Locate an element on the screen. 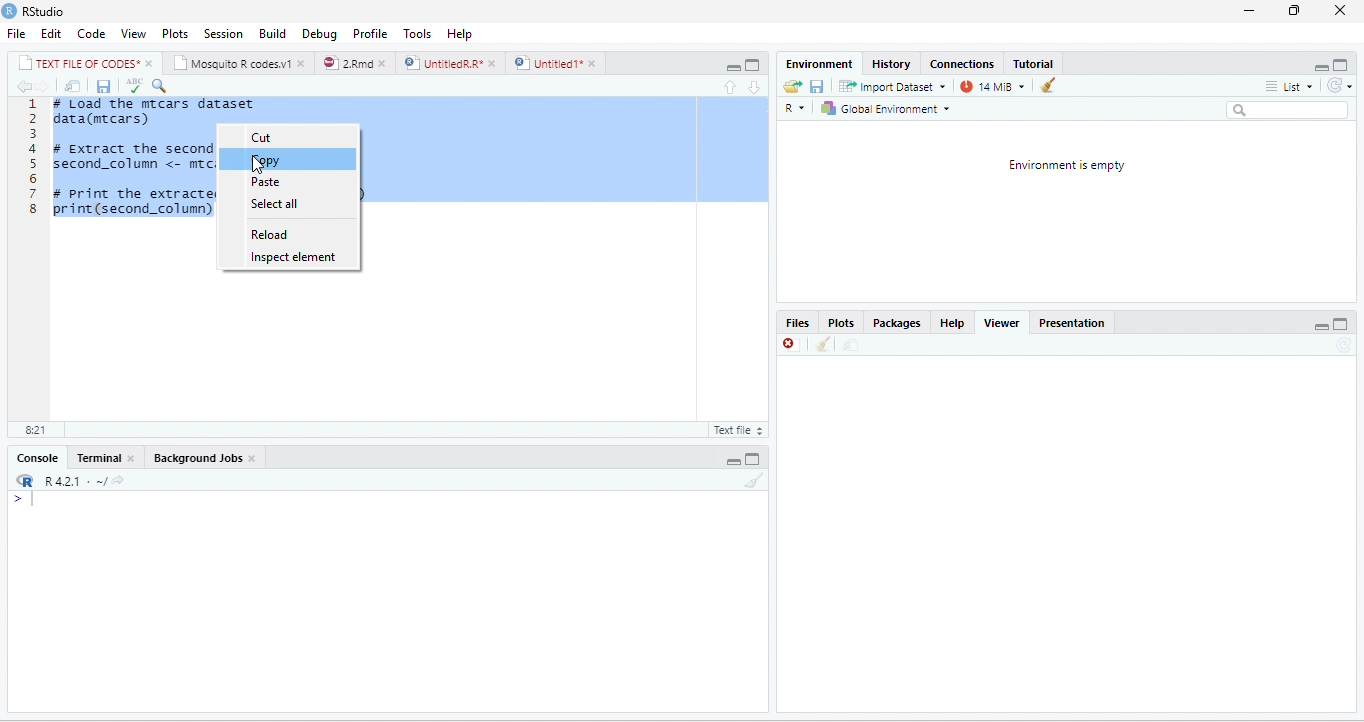 The height and width of the screenshot is (722, 1364). R is located at coordinates (798, 108).